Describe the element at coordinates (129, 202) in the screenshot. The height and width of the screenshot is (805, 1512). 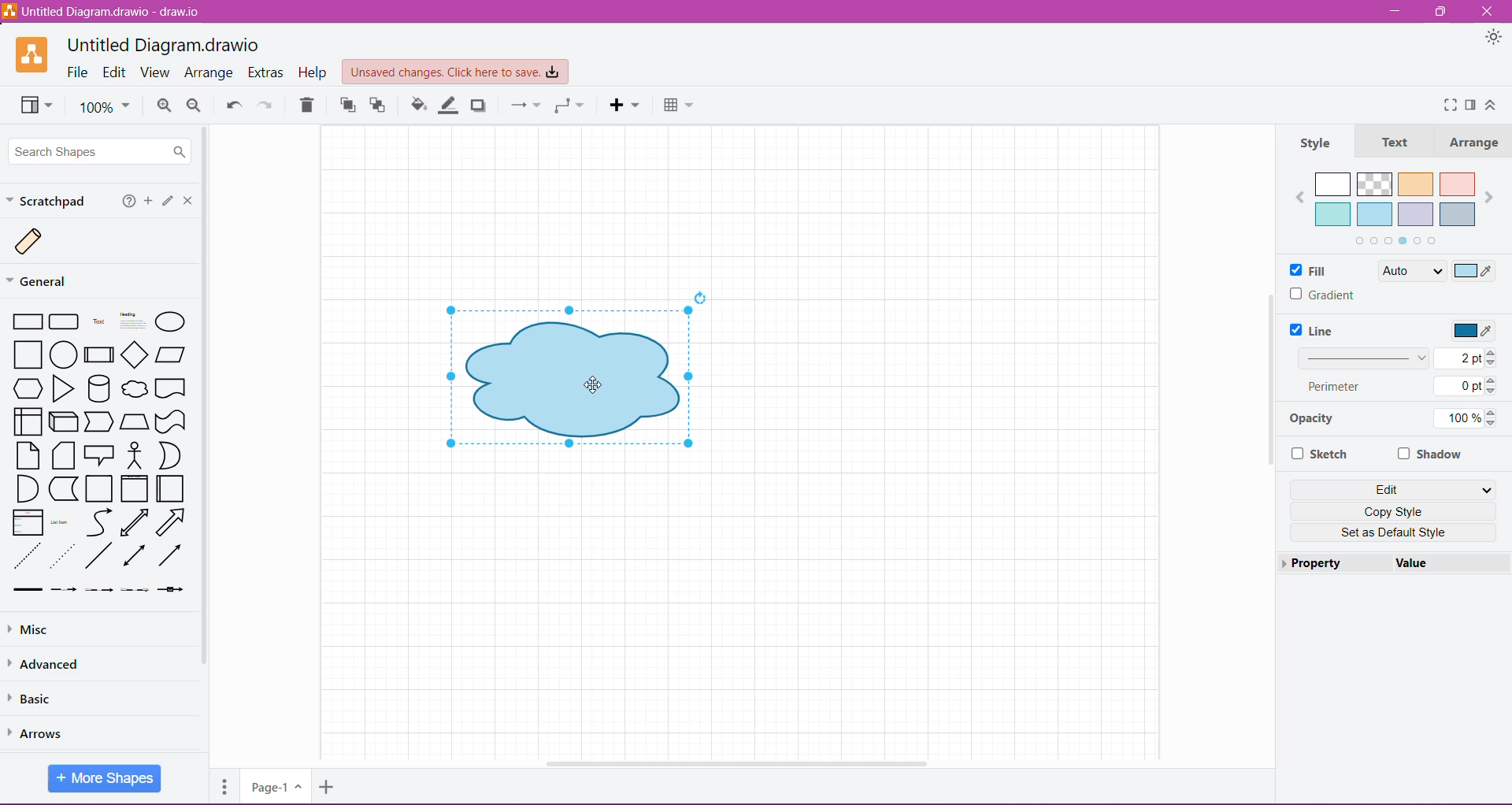
I see `Help` at that location.